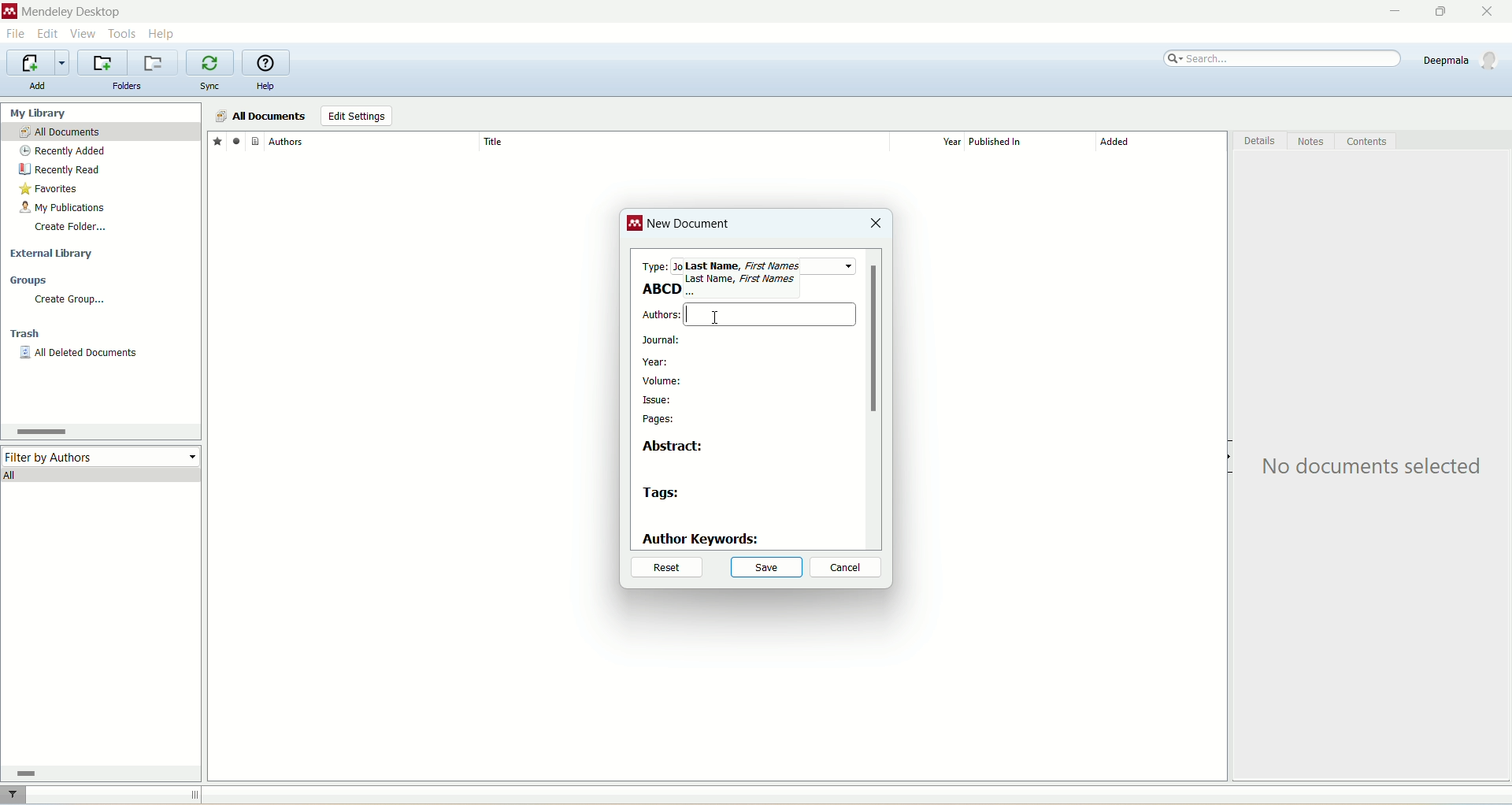  Describe the element at coordinates (654, 263) in the screenshot. I see `type` at that location.